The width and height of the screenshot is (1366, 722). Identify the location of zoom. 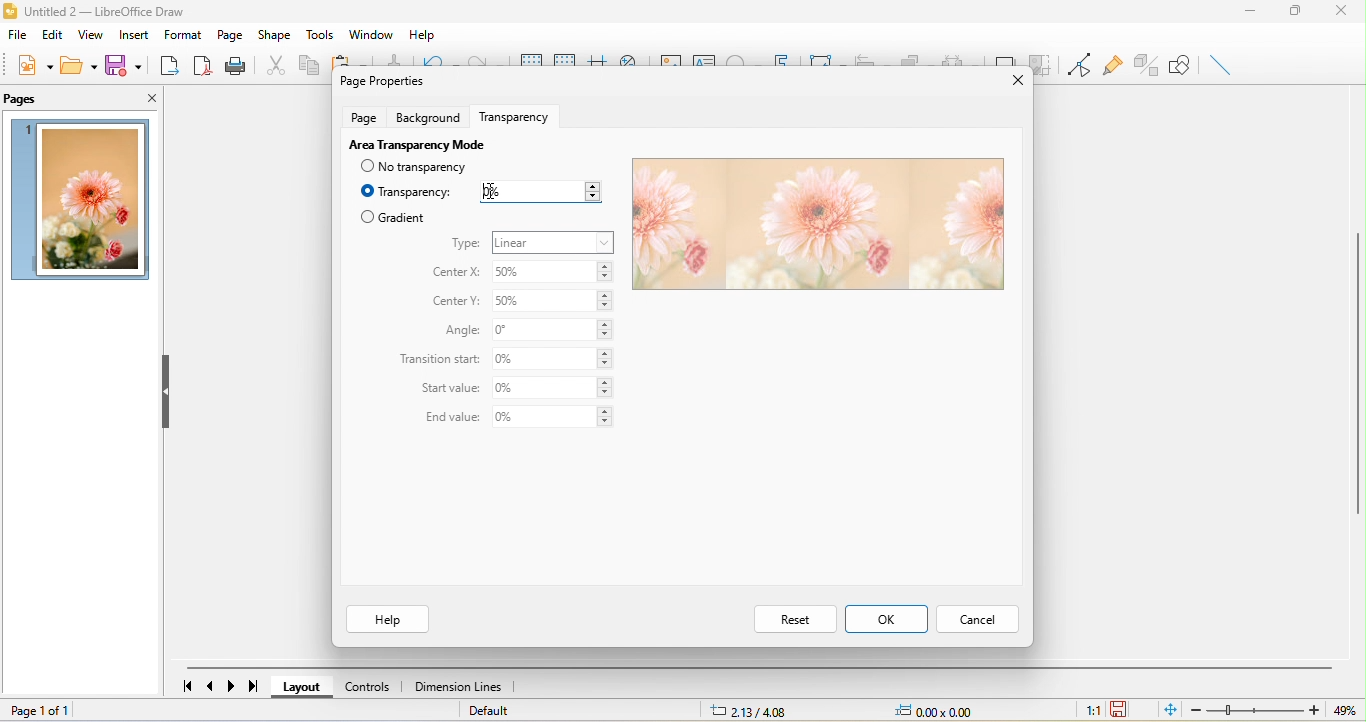
(1271, 710).